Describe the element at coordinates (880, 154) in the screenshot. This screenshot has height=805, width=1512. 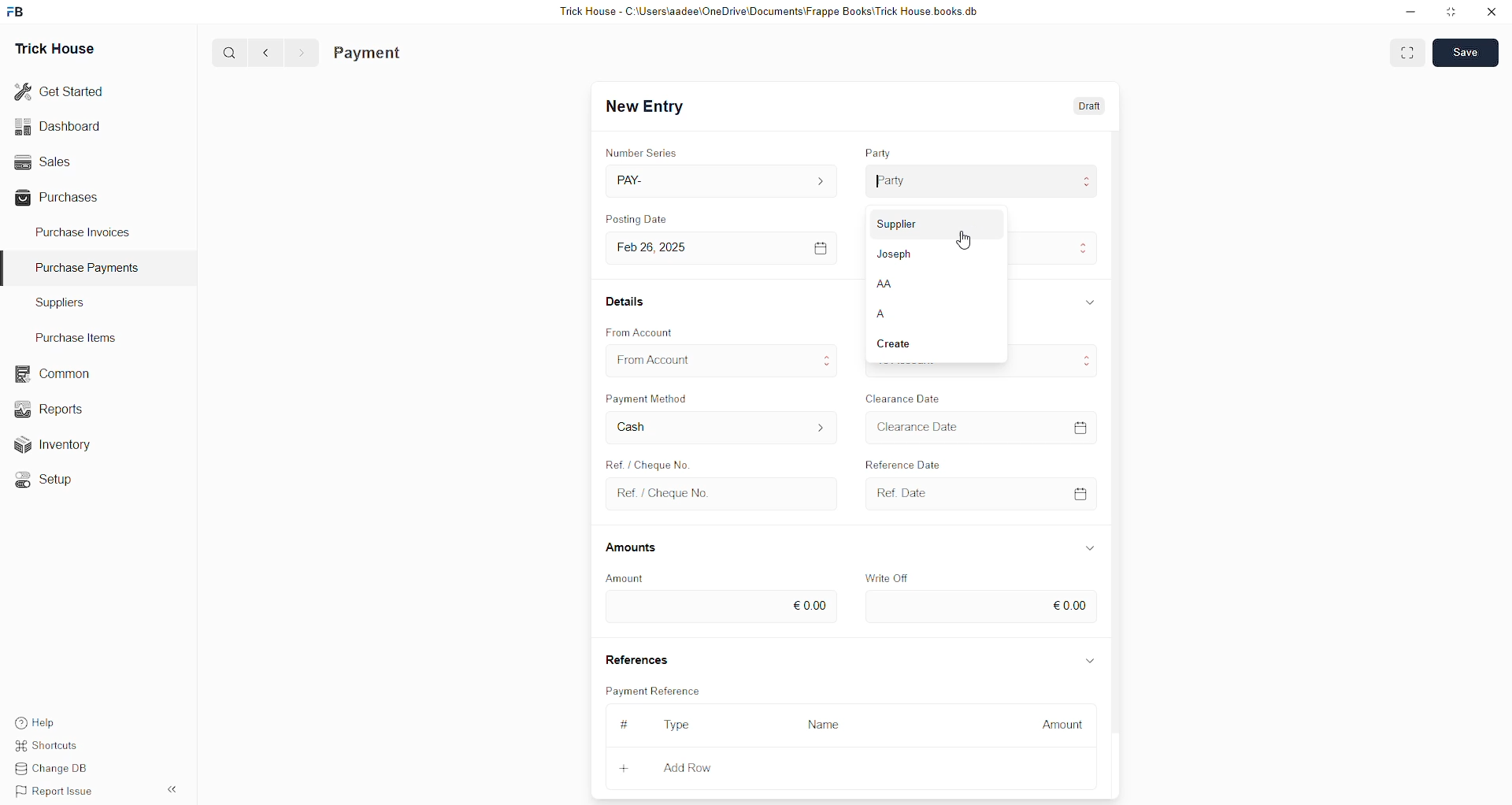
I see `Party` at that location.